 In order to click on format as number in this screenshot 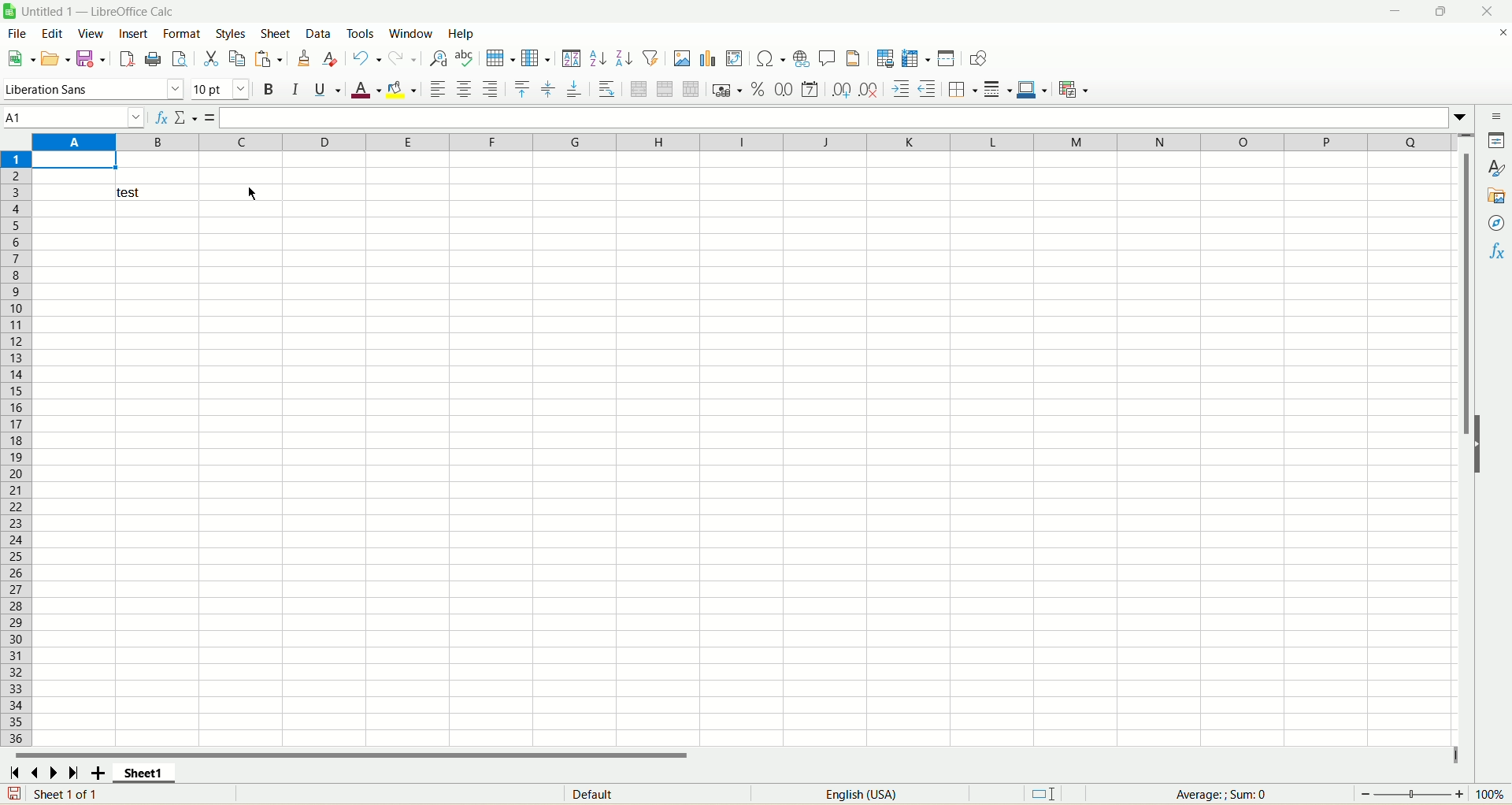, I will do `click(784, 89)`.